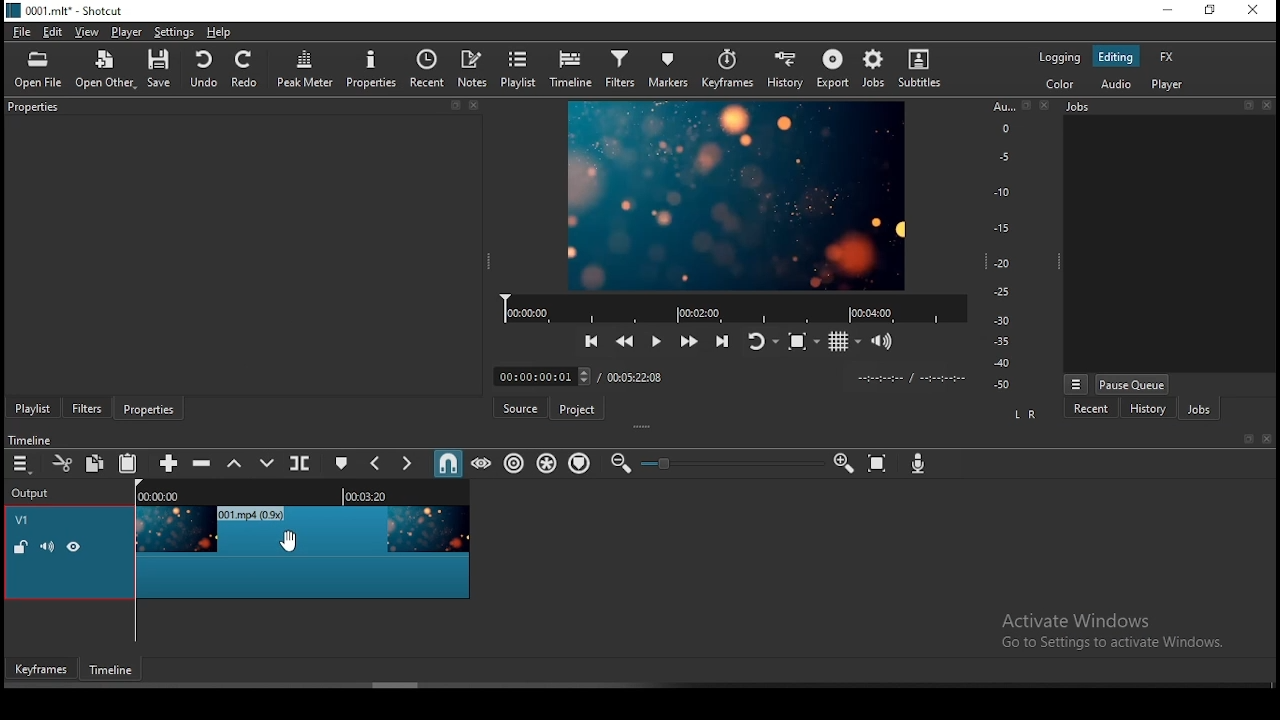 This screenshot has width=1280, height=720. What do you see at coordinates (304, 552) in the screenshot?
I see `video track` at bounding box center [304, 552].